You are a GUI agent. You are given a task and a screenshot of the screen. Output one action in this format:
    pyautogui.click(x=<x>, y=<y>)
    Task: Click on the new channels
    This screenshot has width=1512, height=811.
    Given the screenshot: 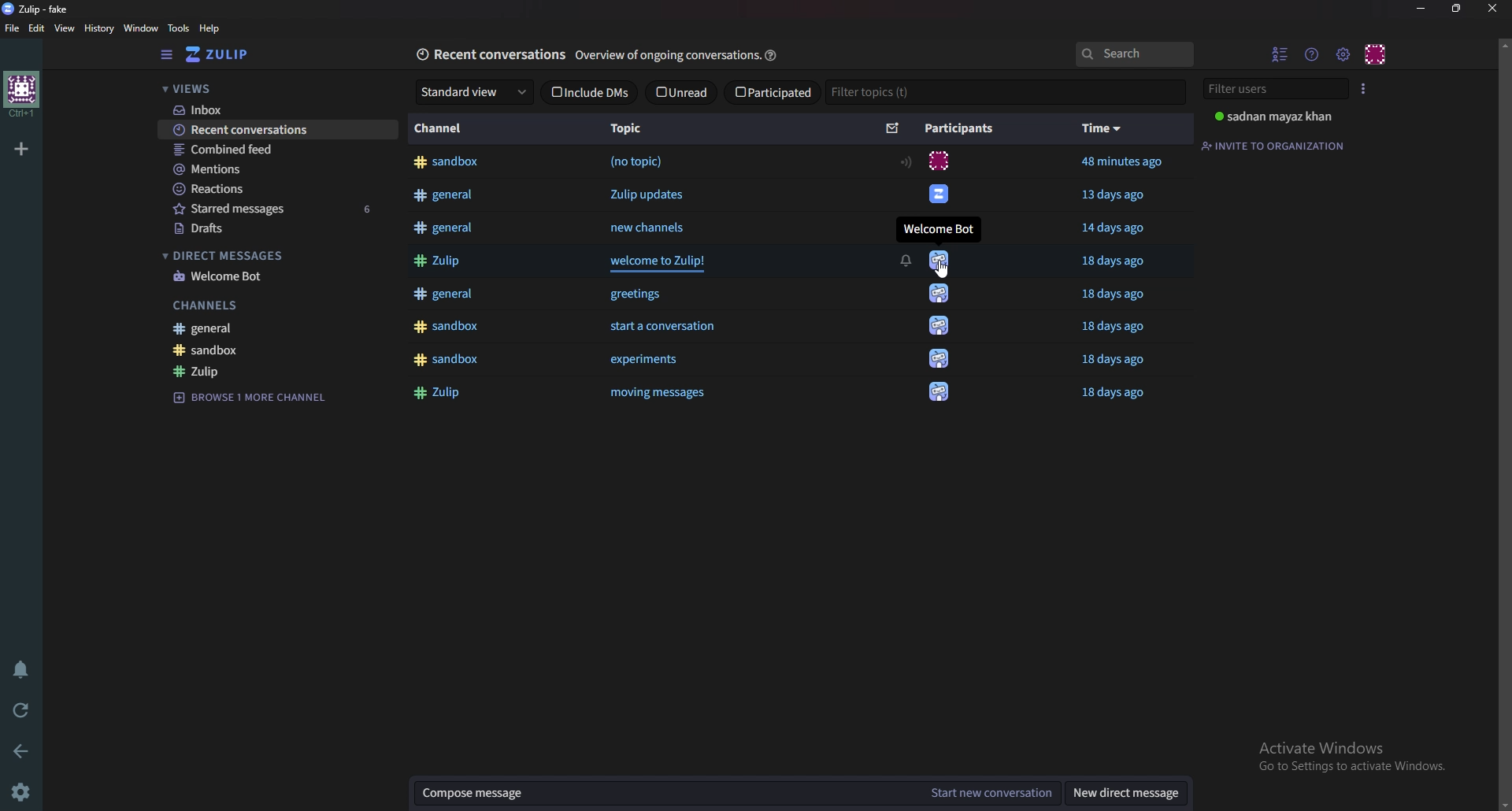 What is the action you would take?
    pyautogui.click(x=650, y=228)
    